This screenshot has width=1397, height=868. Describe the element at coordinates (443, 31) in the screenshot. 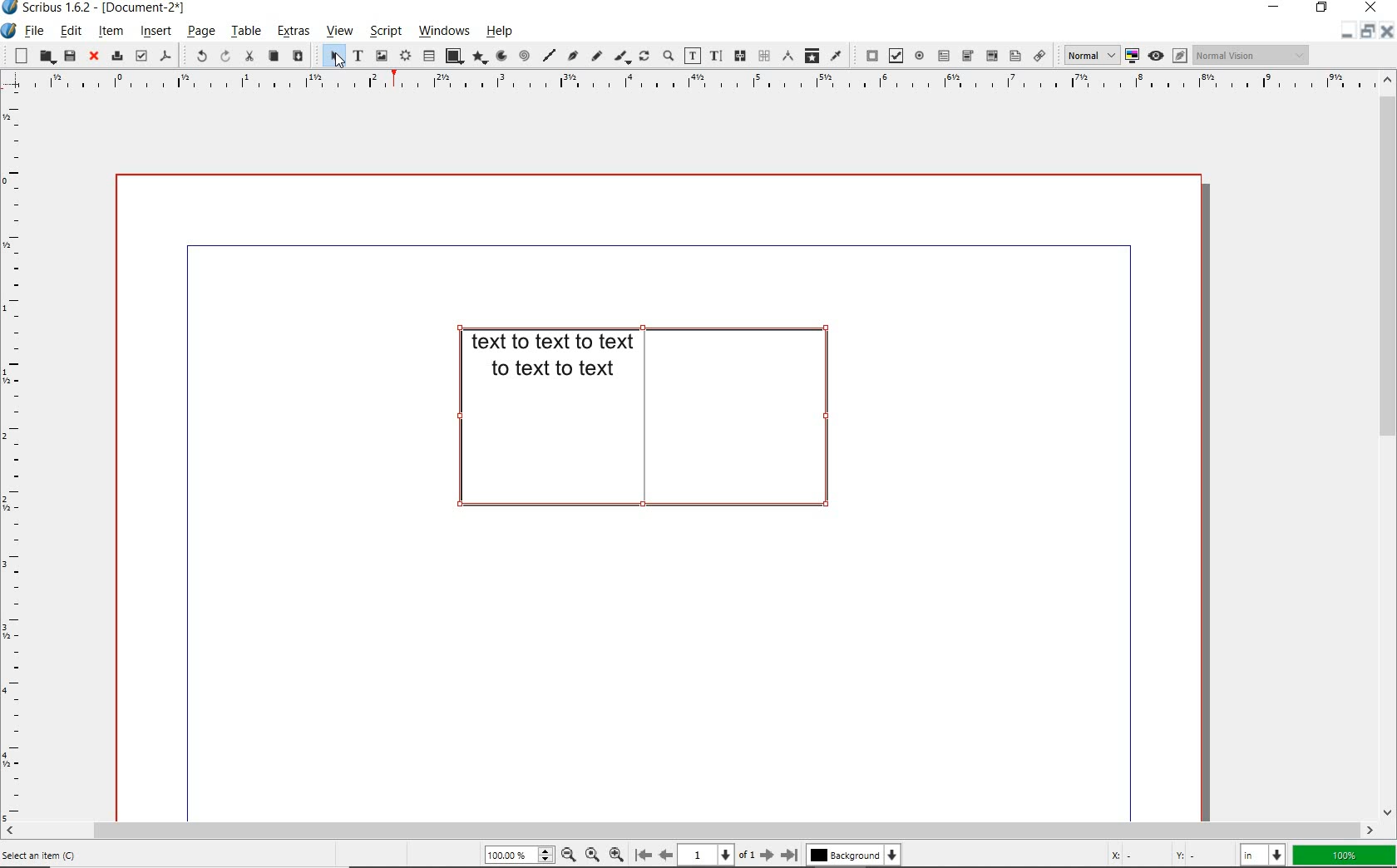

I see `windows` at that location.